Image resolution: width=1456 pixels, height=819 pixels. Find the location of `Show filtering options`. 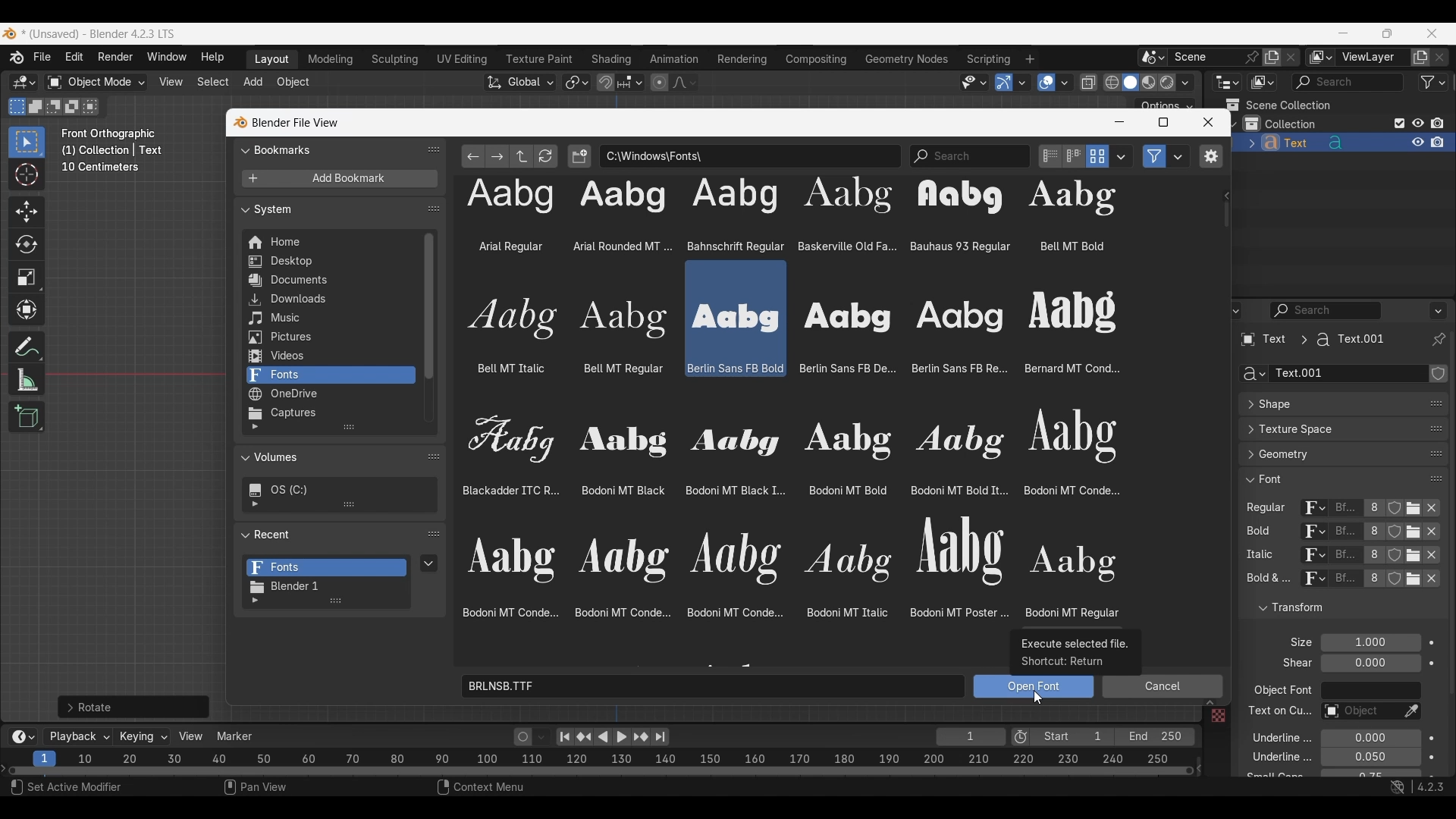

Show filtering options is located at coordinates (255, 504).